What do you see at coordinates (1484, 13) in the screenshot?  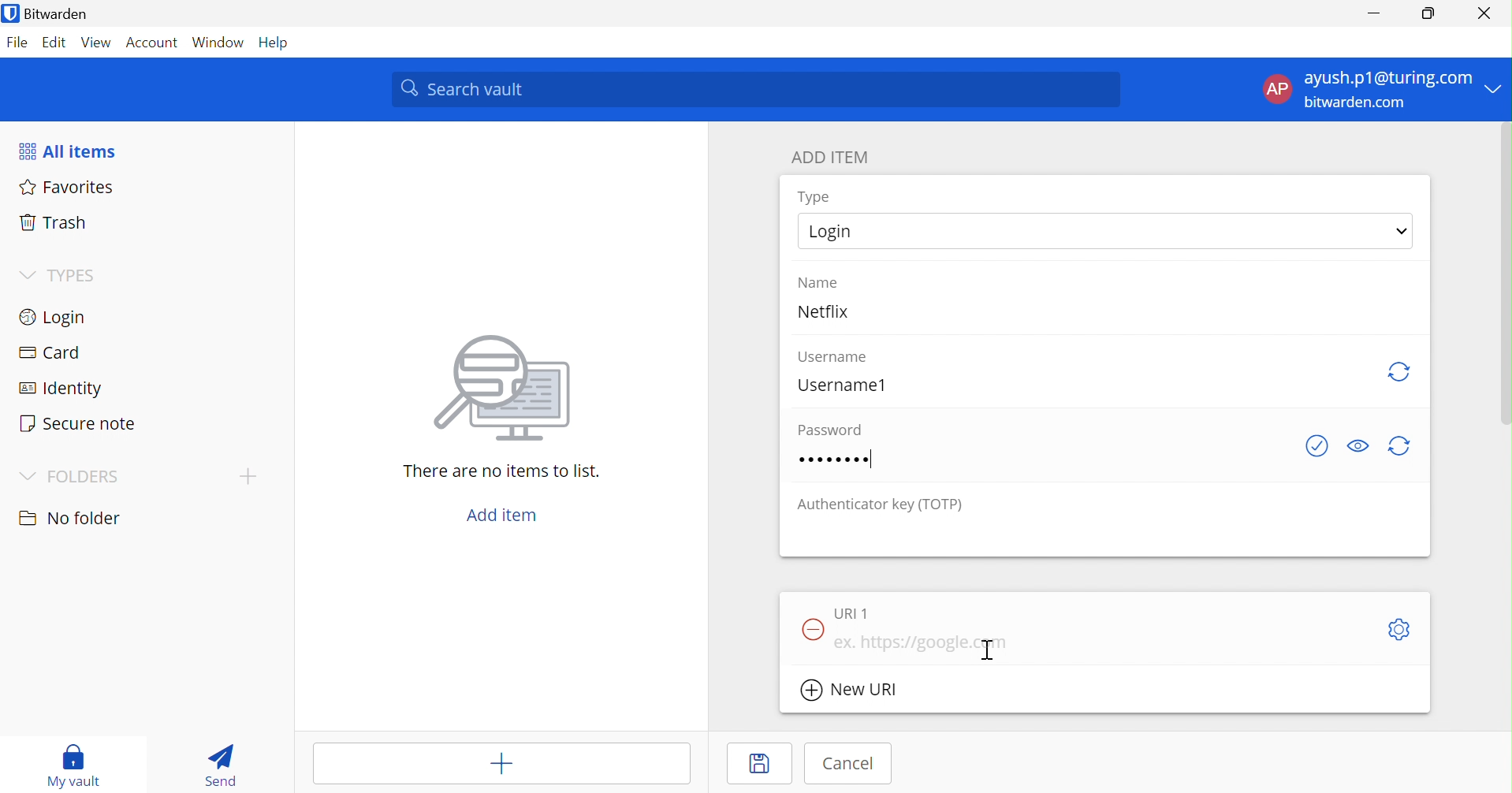 I see `Close` at bounding box center [1484, 13].